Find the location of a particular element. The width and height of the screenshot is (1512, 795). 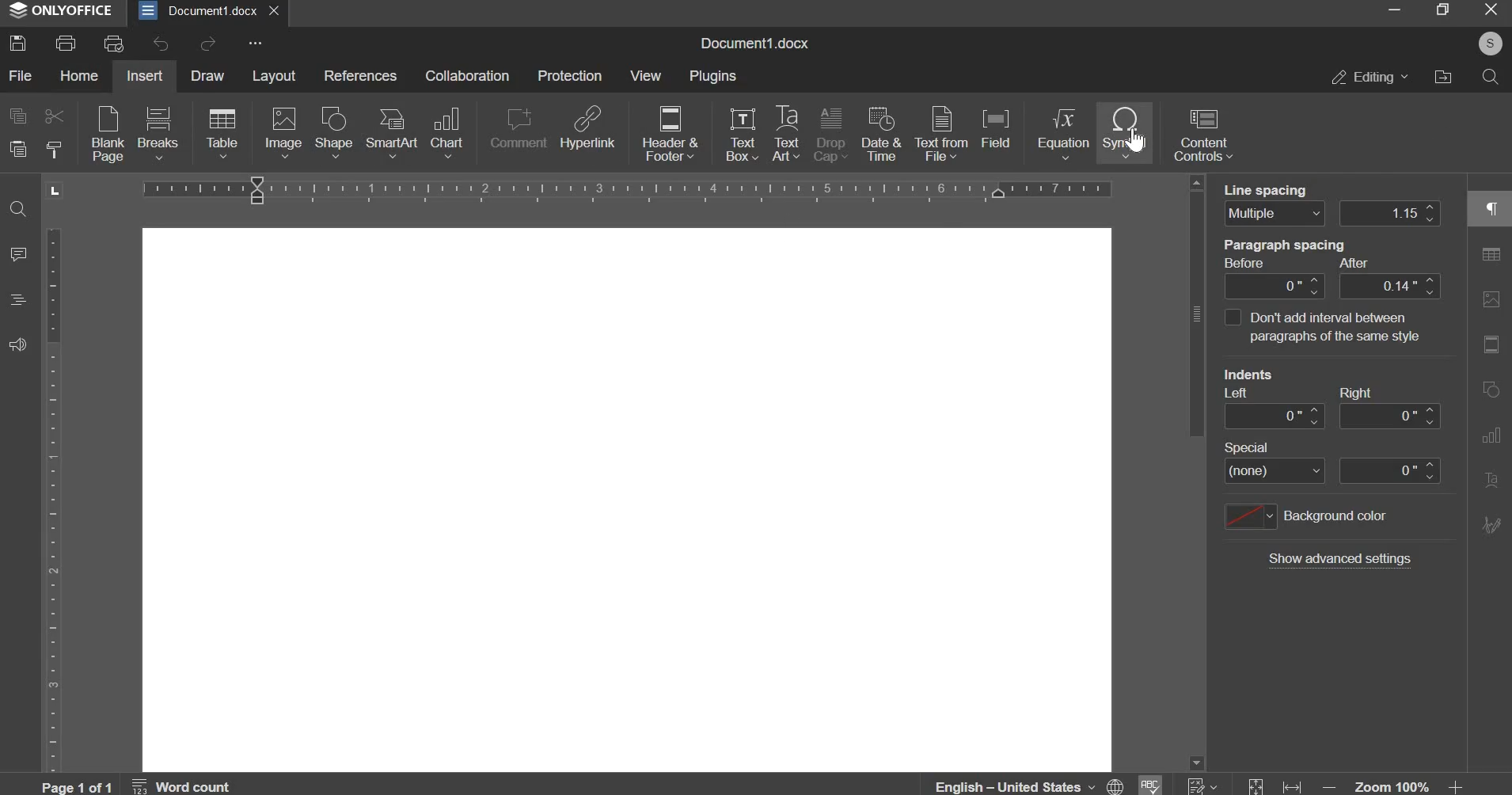

save is located at coordinates (19, 45).